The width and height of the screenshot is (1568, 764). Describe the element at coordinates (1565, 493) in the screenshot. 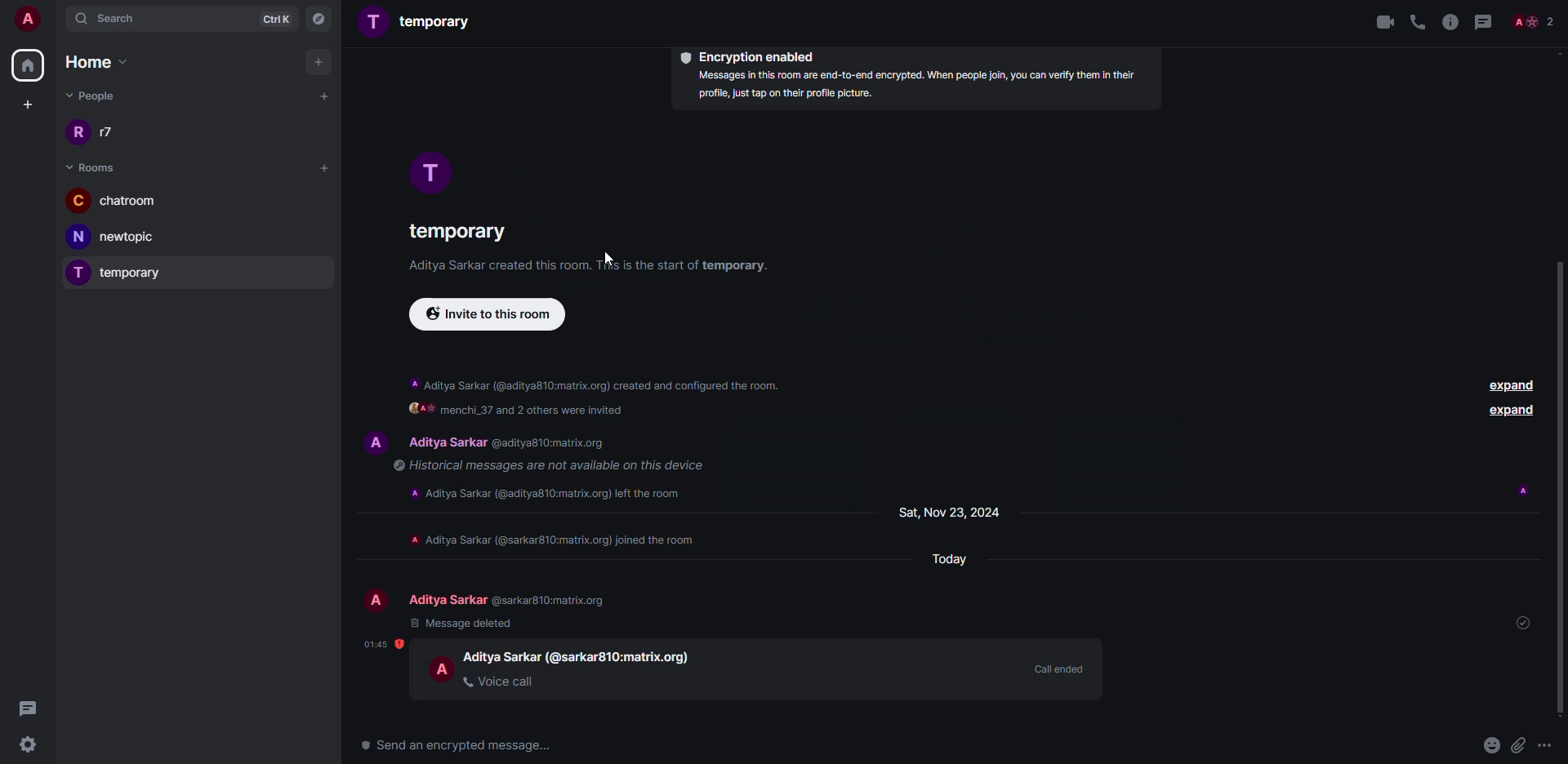

I see `scroll bar` at that location.